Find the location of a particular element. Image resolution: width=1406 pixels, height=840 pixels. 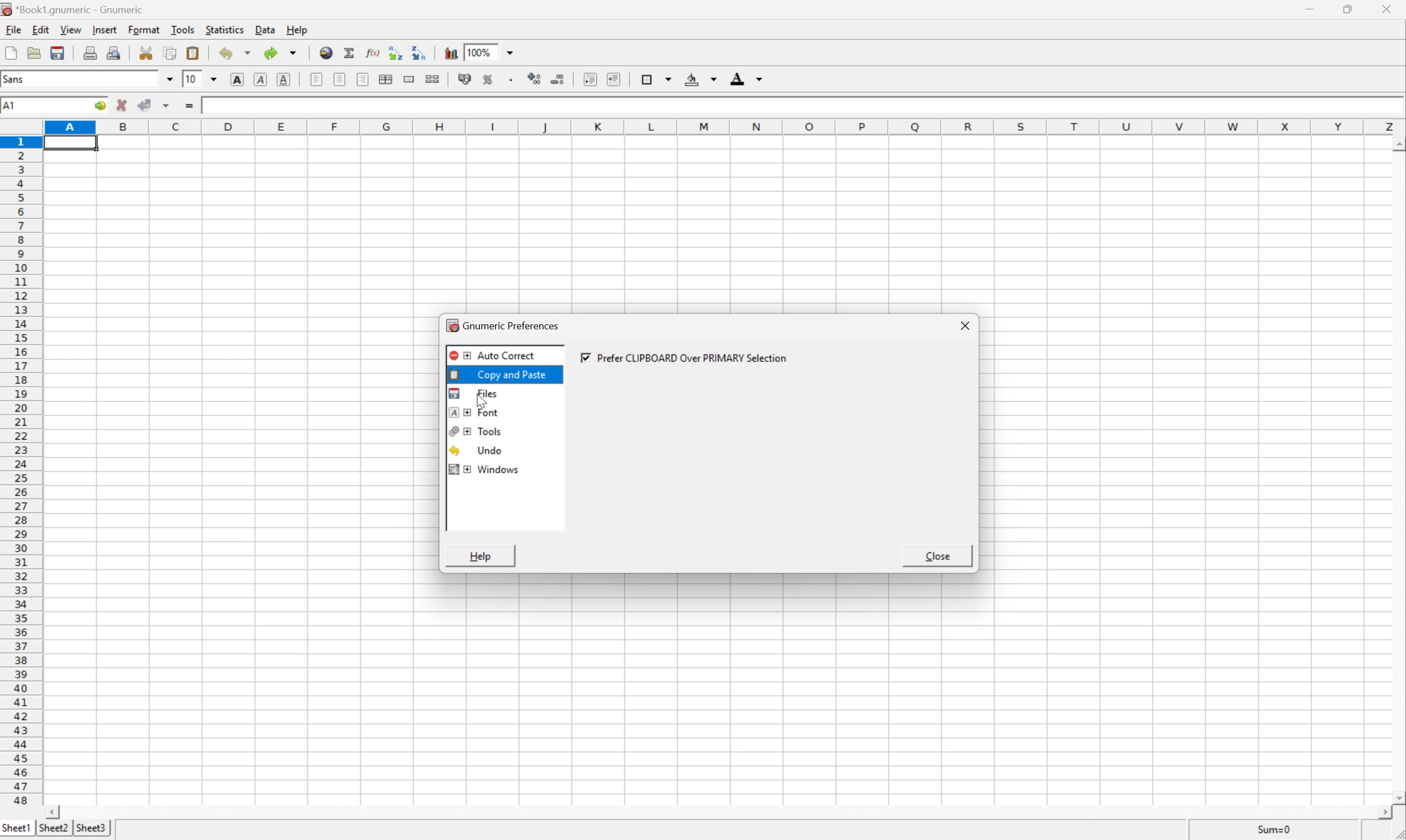

italic is located at coordinates (259, 78).